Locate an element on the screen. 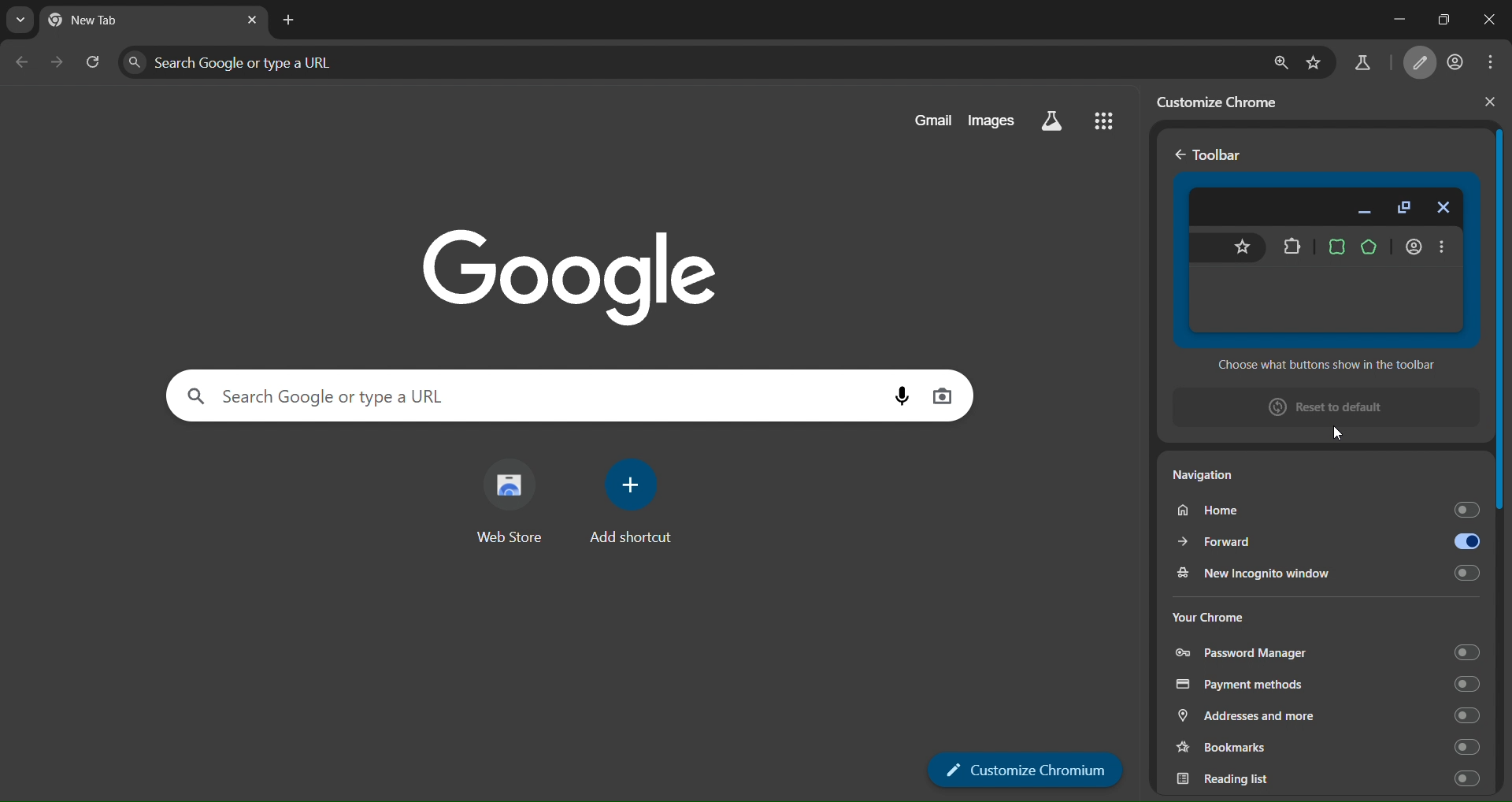 This screenshot has height=802, width=1512. navigation is located at coordinates (1273, 478).